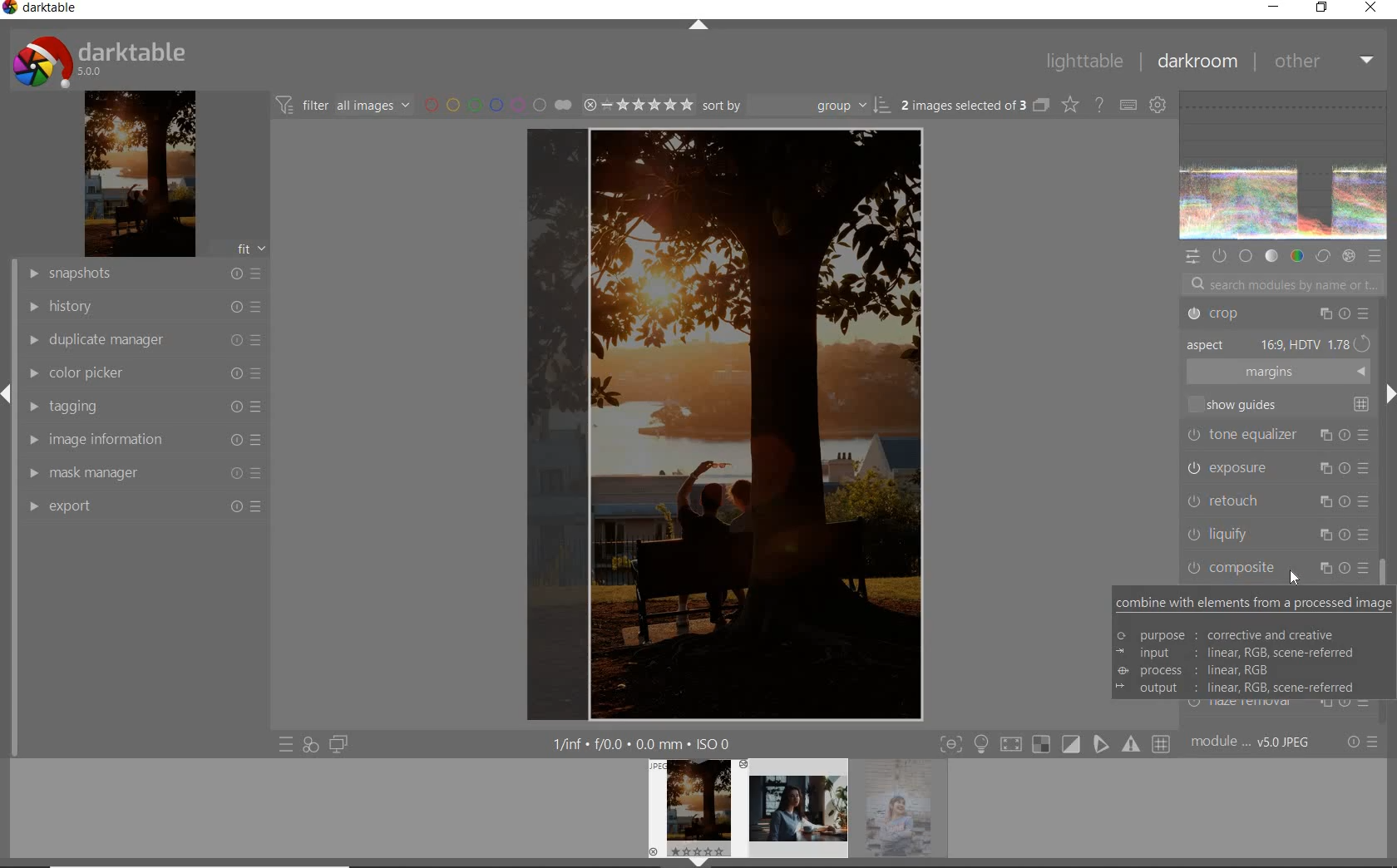 Image resolution: width=1397 pixels, height=868 pixels. What do you see at coordinates (1098, 104) in the screenshot?
I see `enable for online help` at bounding box center [1098, 104].